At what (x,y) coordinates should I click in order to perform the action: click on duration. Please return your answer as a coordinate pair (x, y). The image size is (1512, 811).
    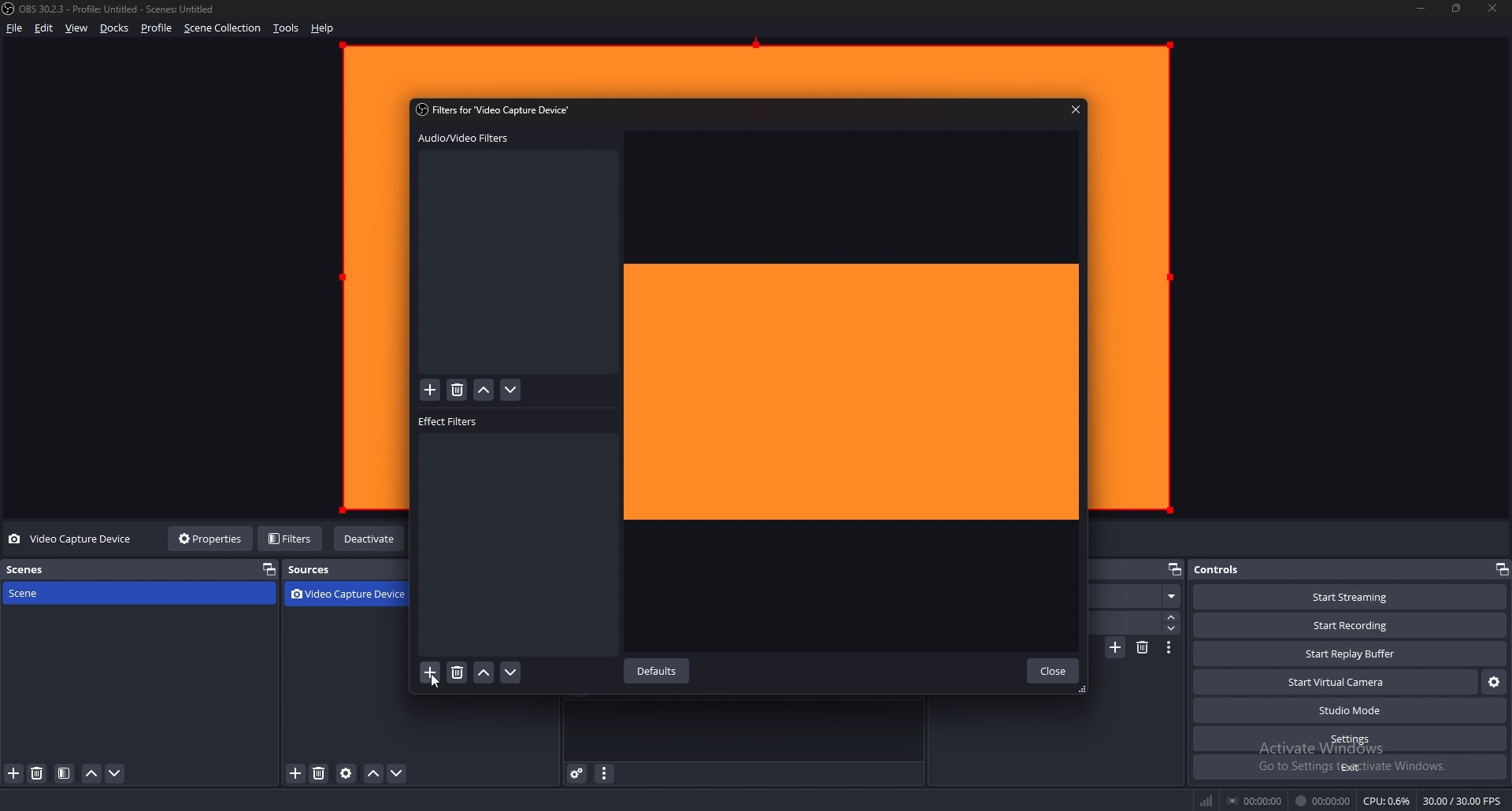
    Looking at the image, I should click on (1129, 622).